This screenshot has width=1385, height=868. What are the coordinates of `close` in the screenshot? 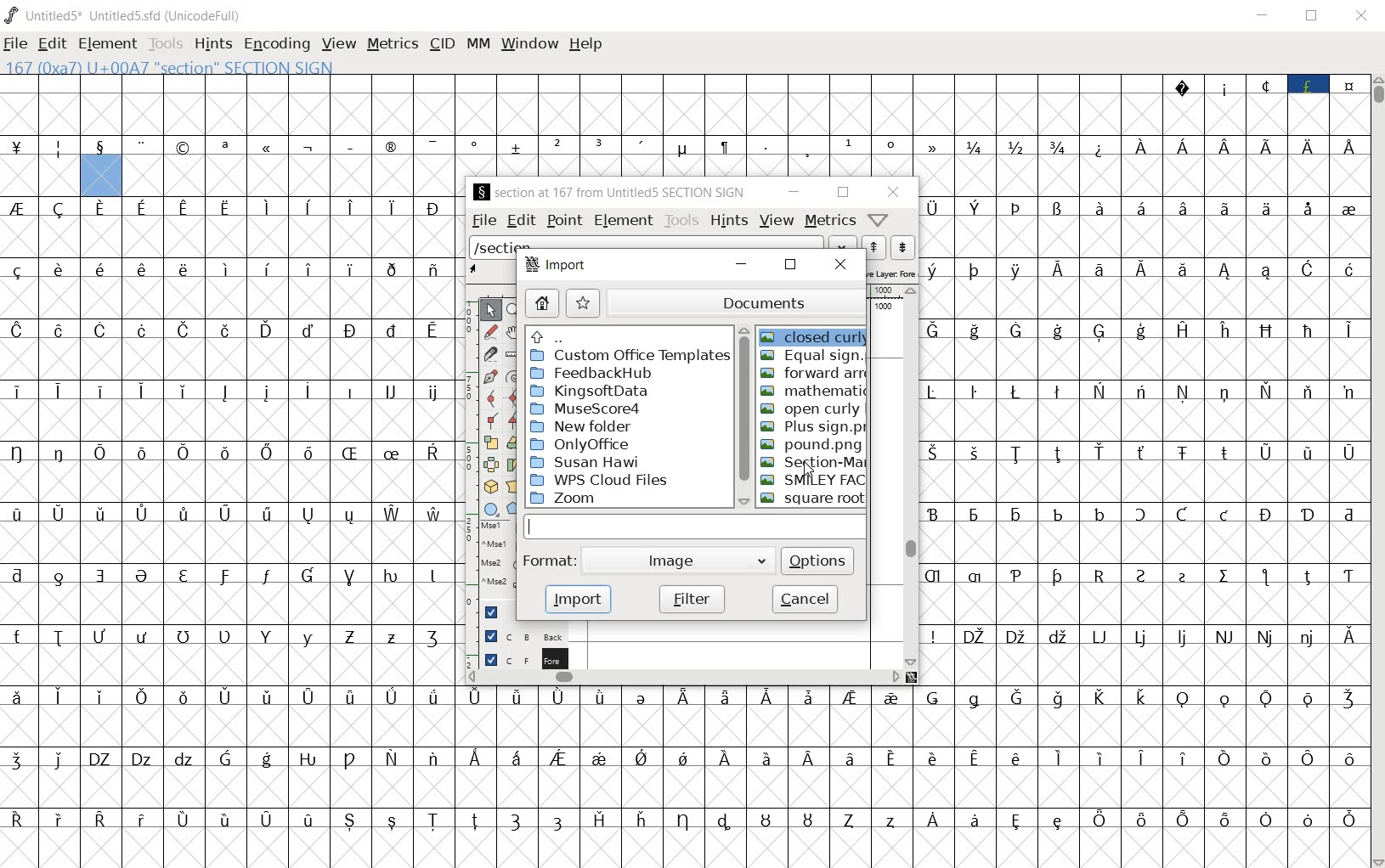 It's located at (842, 265).